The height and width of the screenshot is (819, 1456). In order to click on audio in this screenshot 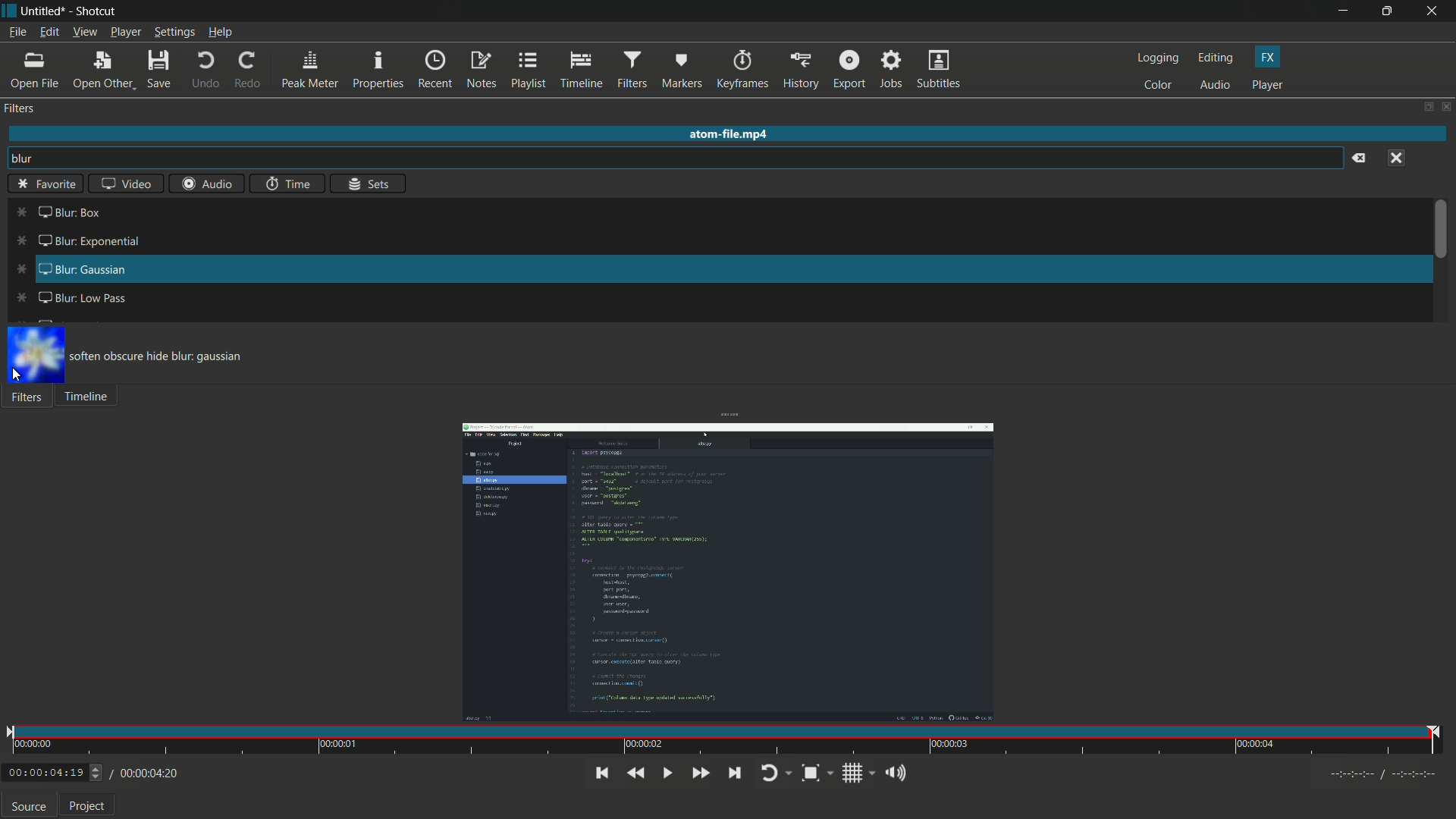, I will do `click(1216, 86)`.